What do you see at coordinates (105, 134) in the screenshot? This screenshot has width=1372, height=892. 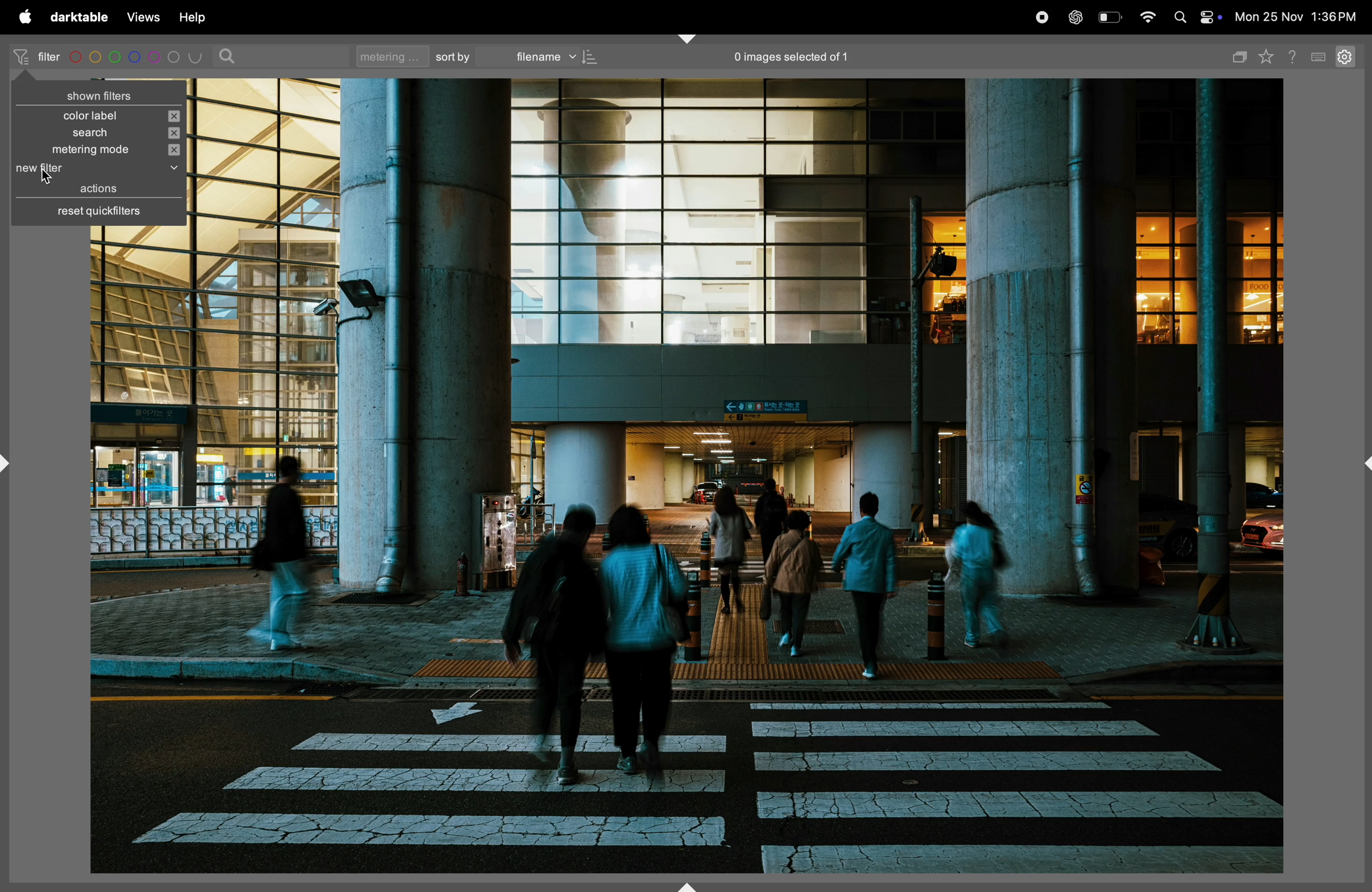 I see `search` at bounding box center [105, 134].